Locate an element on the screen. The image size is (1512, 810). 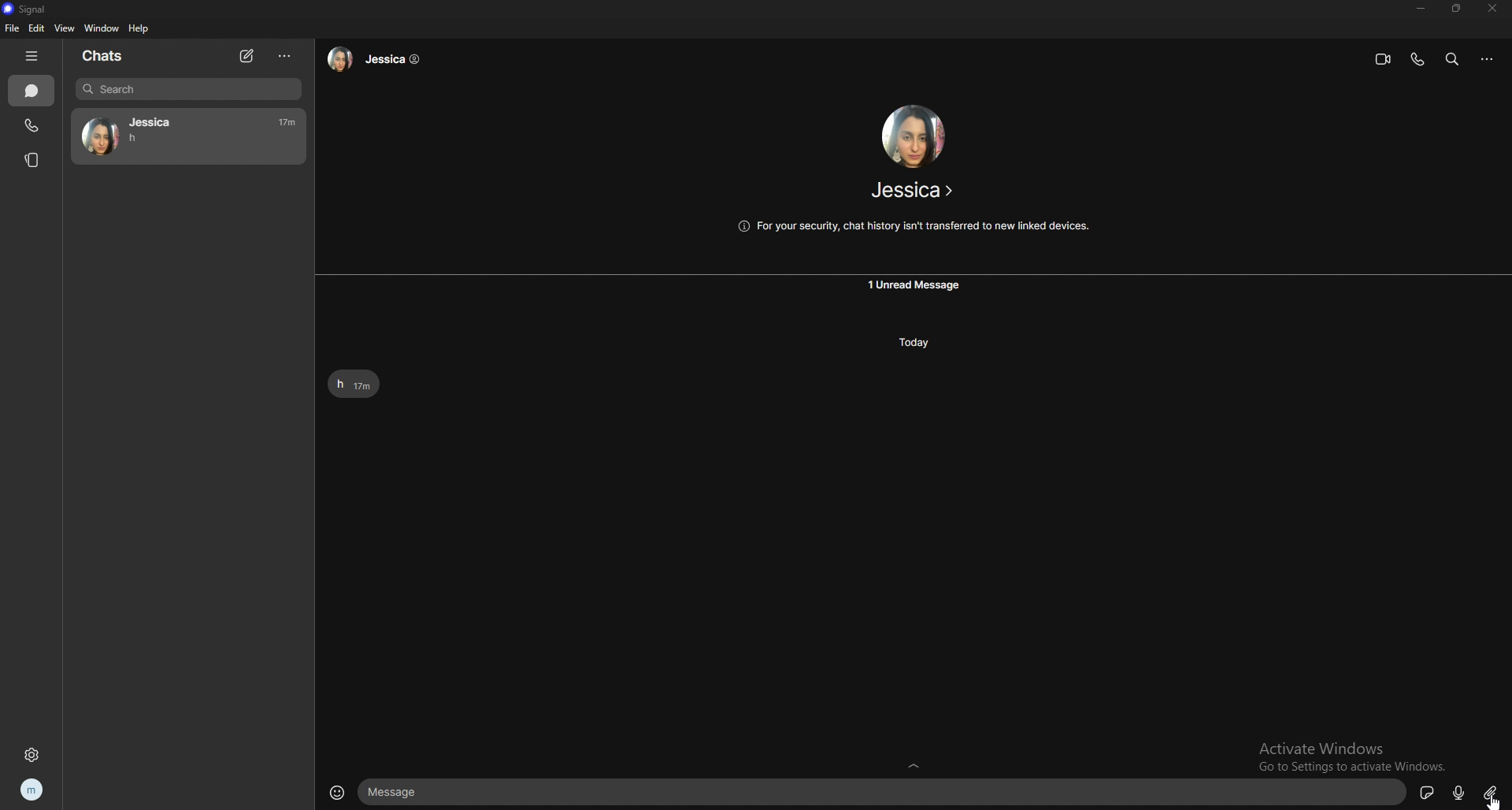
search bar is located at coordinates (190, 89).